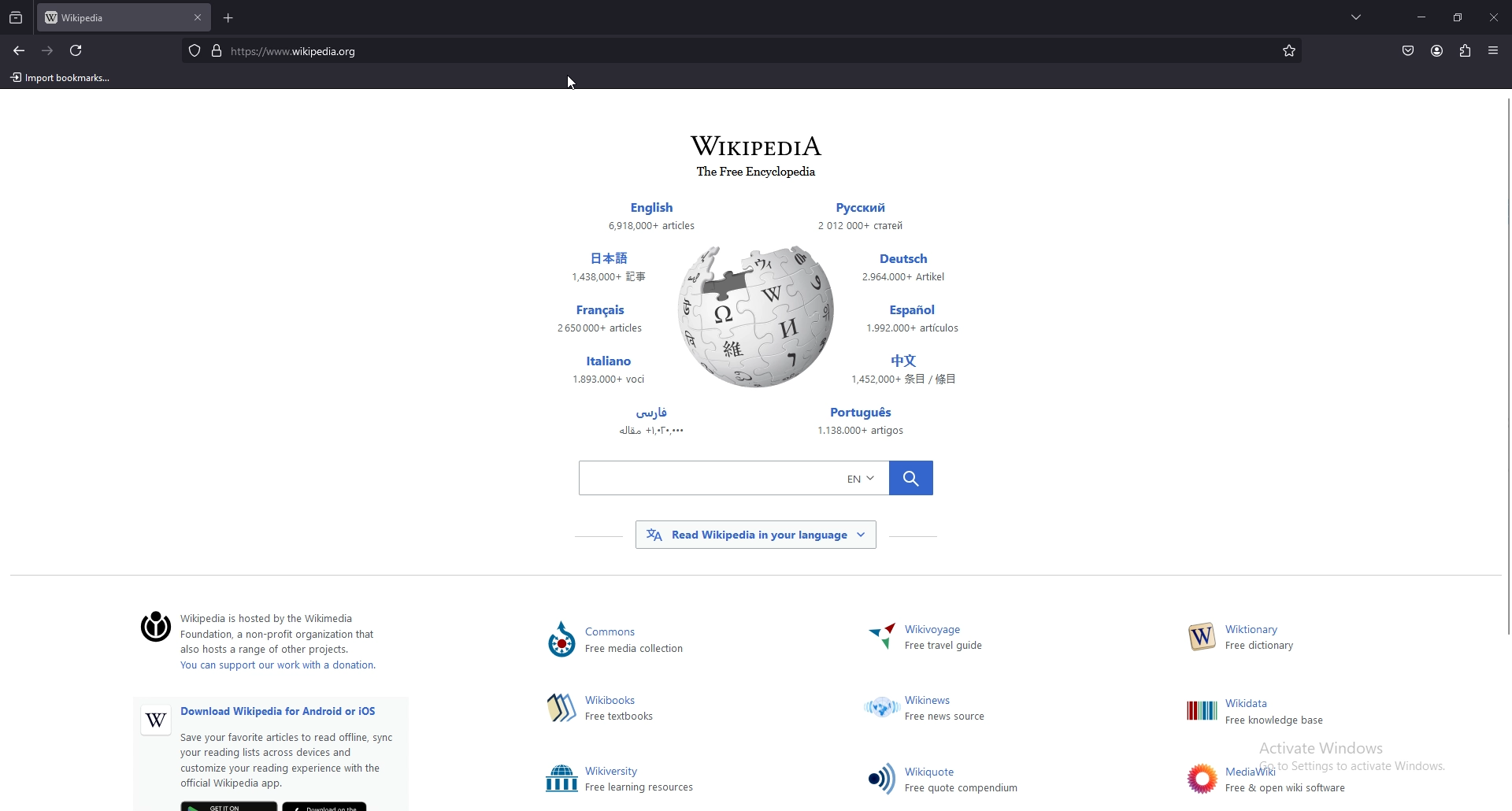  Describe the element at coordinates (947, 709) in the screenshot. I see `` at that location.